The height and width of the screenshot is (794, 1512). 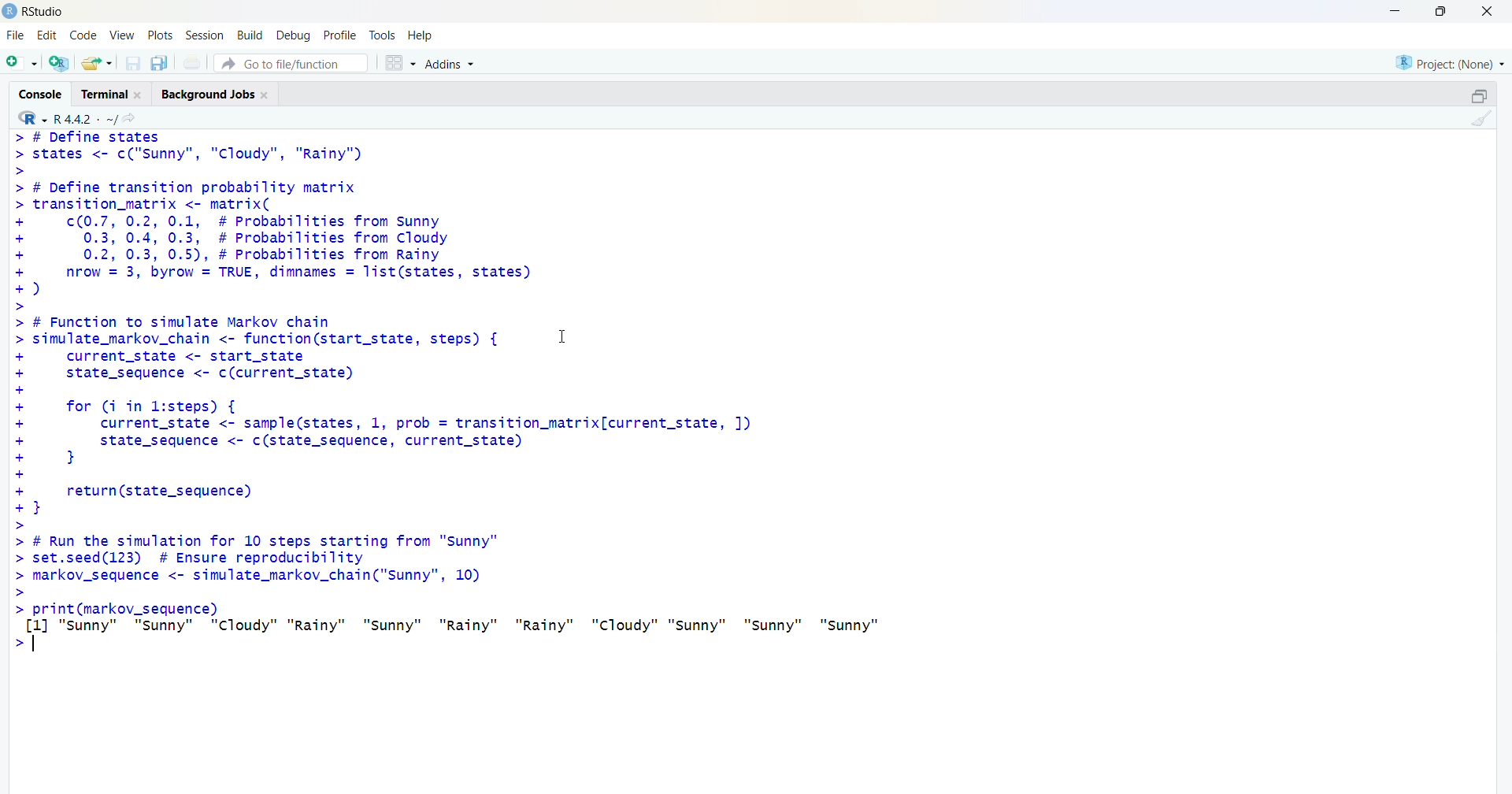 I want to click on maximize, so click(x=1438, y=11).